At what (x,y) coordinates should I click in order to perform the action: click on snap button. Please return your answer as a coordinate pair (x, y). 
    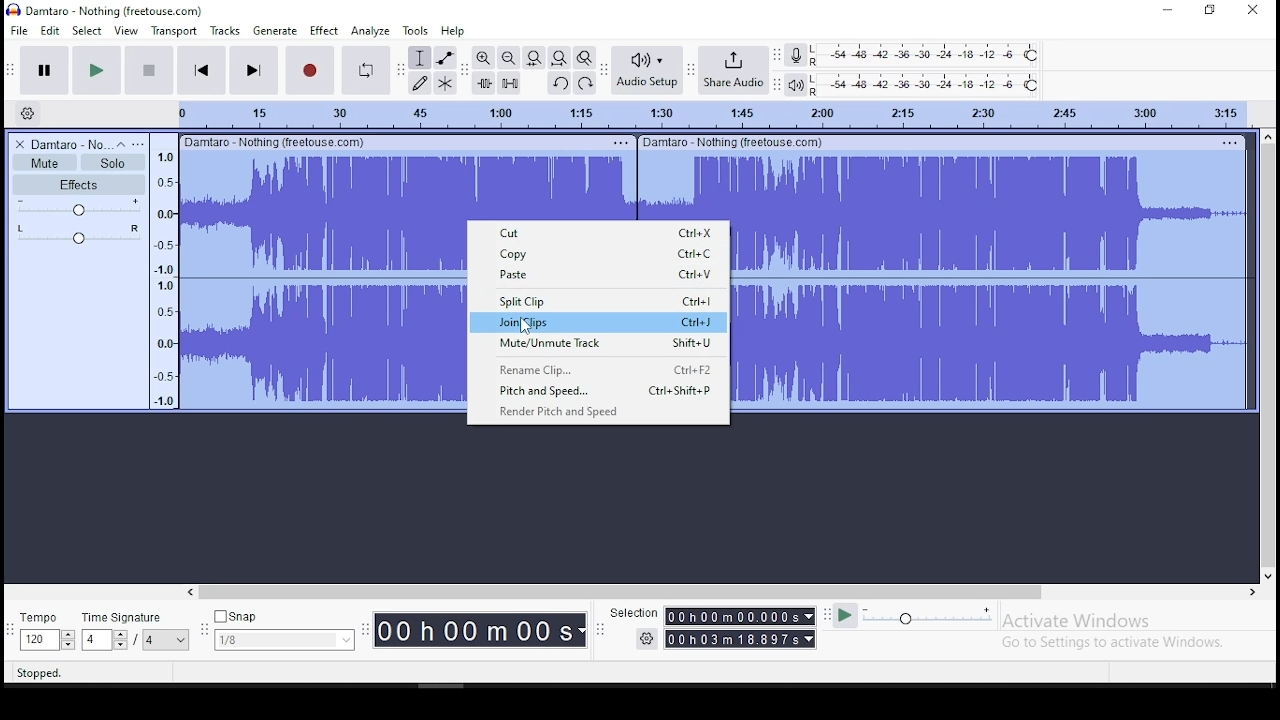
    Looking at the image, I should click on (236, 615).